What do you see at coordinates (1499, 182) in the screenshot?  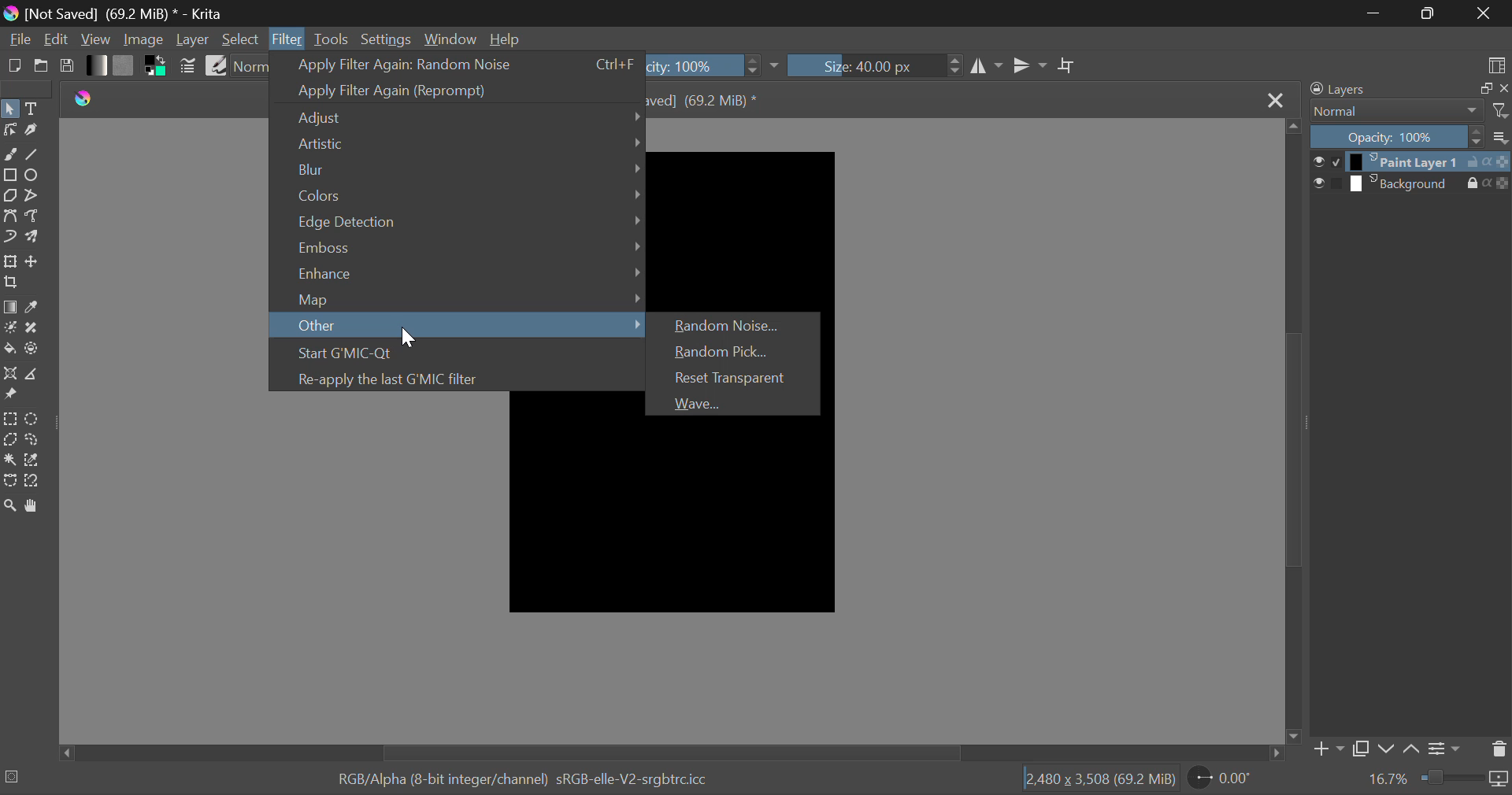 I see `opacity` at bounding box center [1499, 182].